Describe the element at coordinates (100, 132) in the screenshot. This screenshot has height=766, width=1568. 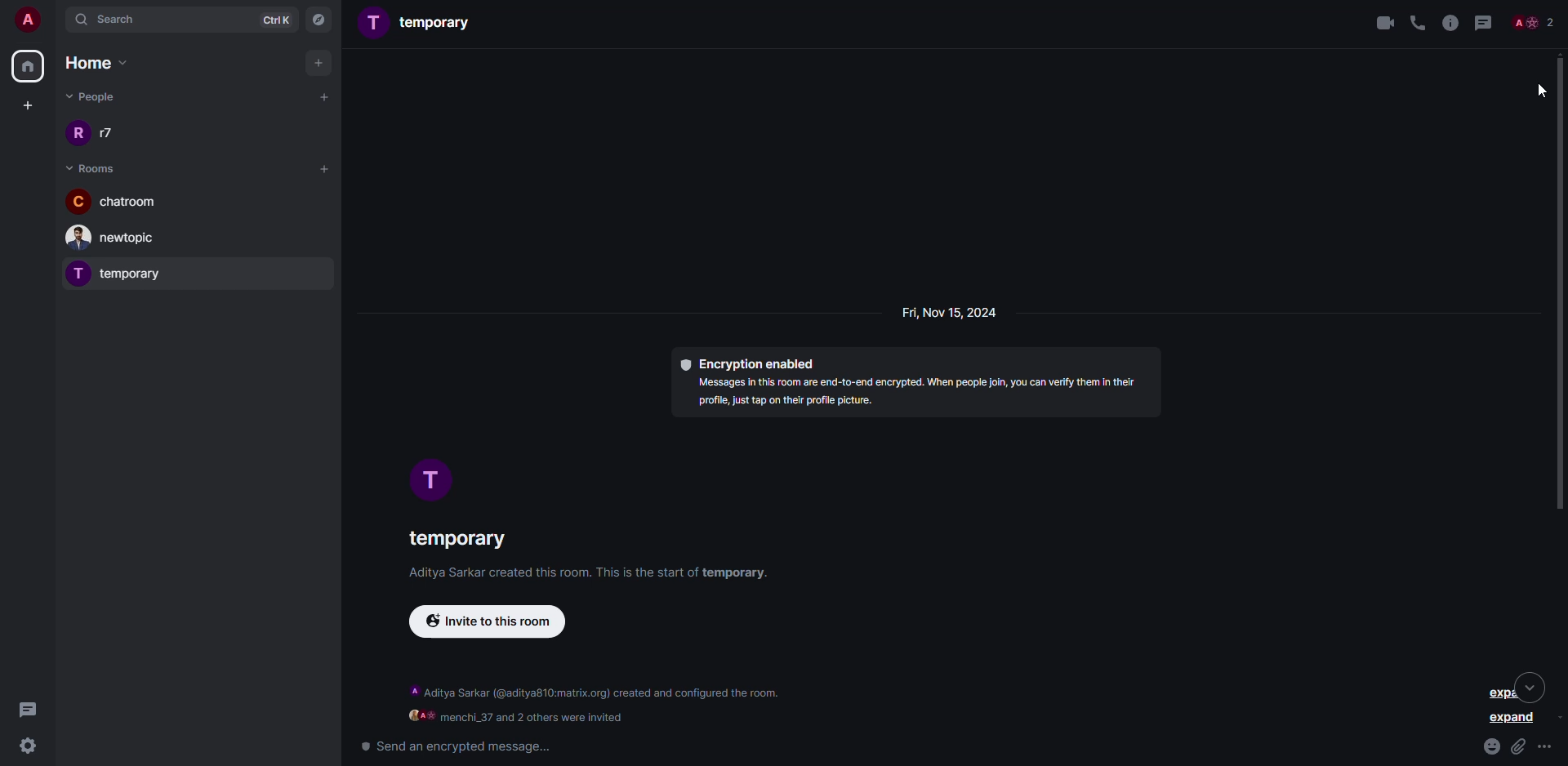
I see `r17` at that location.